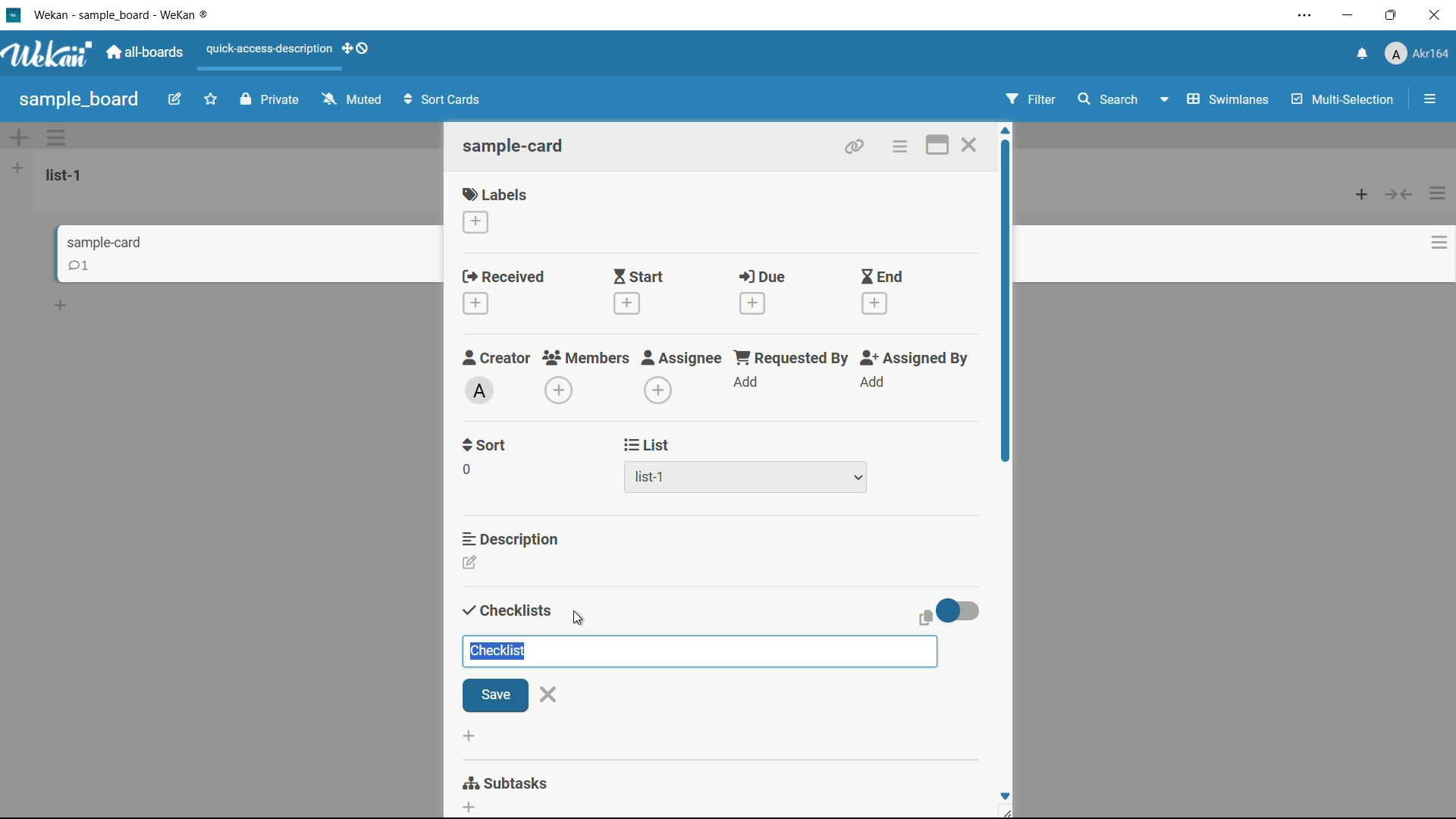  I want to click on cursor, so click(579, 618).